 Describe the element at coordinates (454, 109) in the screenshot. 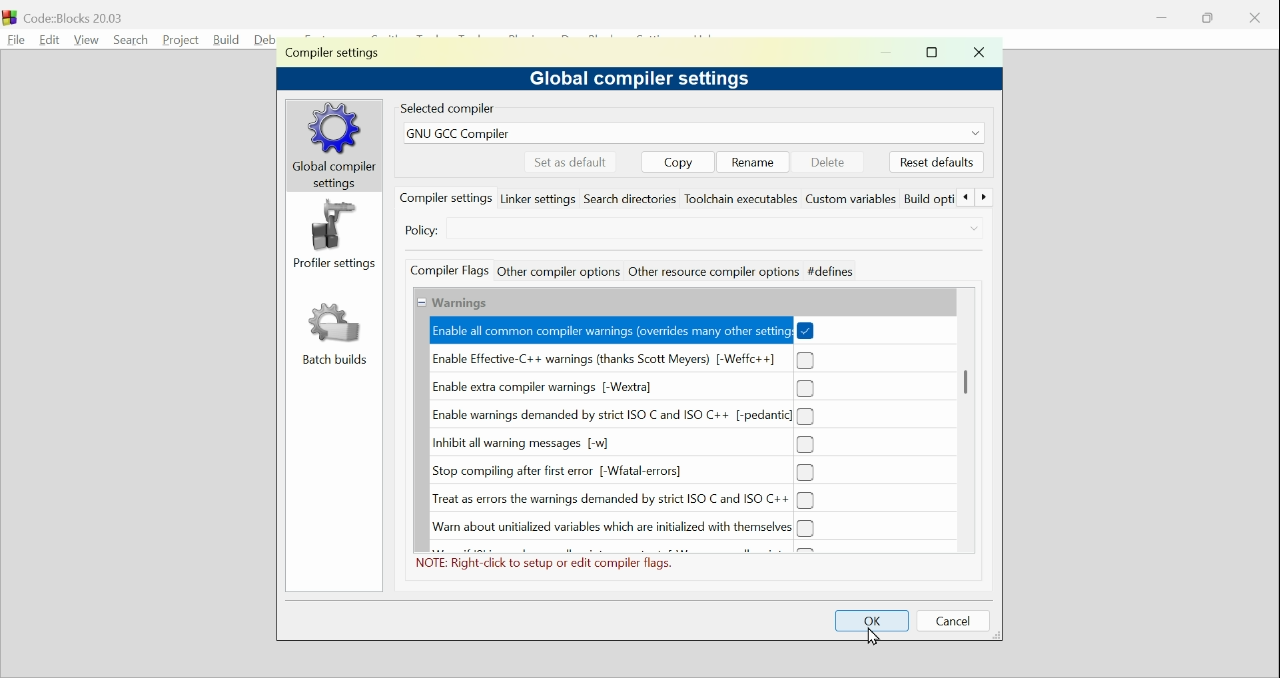

I see `Selected compiler` at that location.